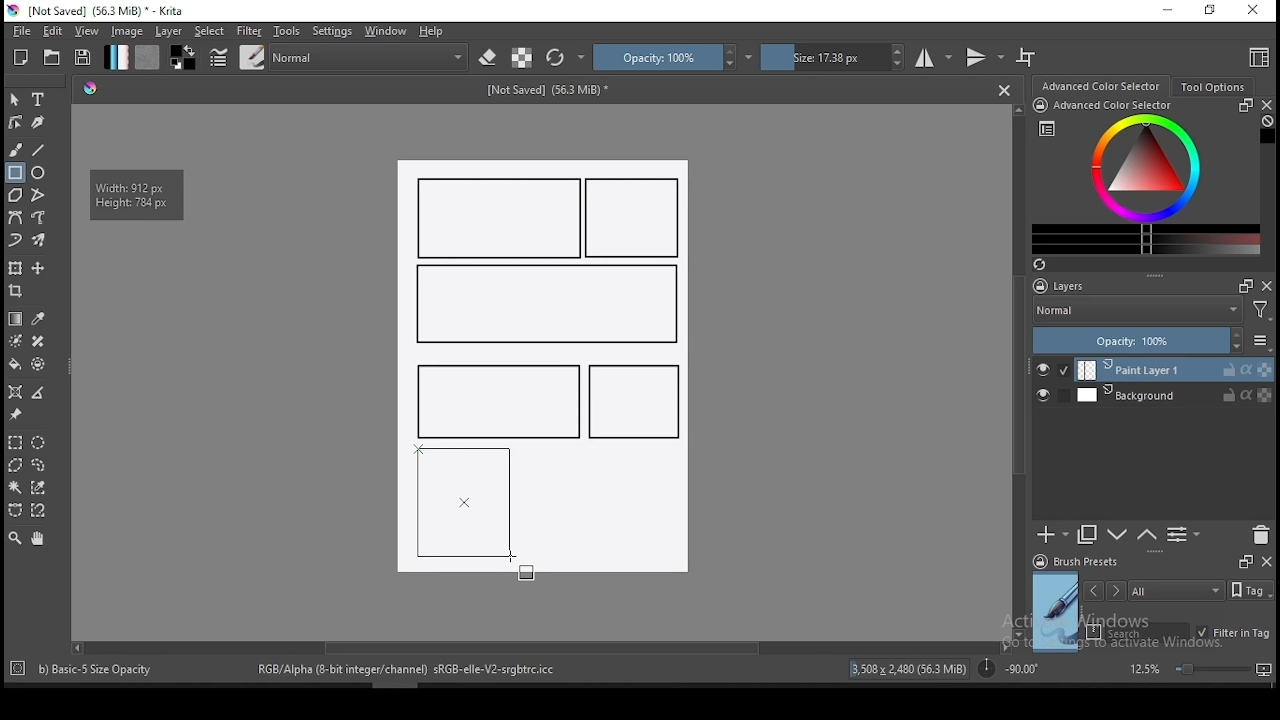 The height and width of the screenshot is (720, 1280). What do you see at coordinates (15, 241) in the screenshot?
I see `dynamic brush tool` at bounding box center [15, 241].